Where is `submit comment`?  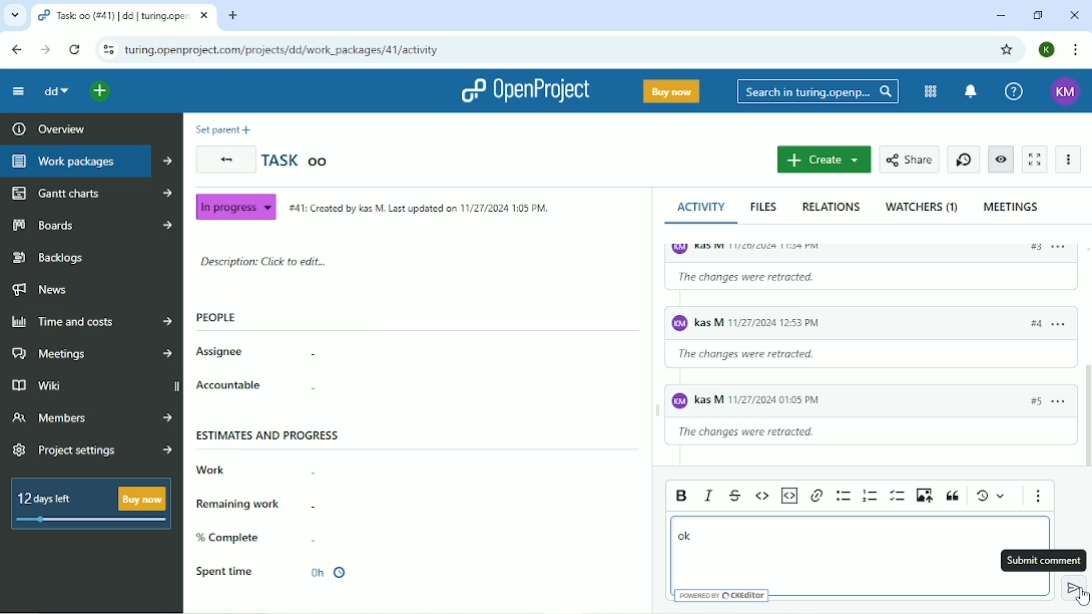 submit comment is located at coordinates (1075, 589).